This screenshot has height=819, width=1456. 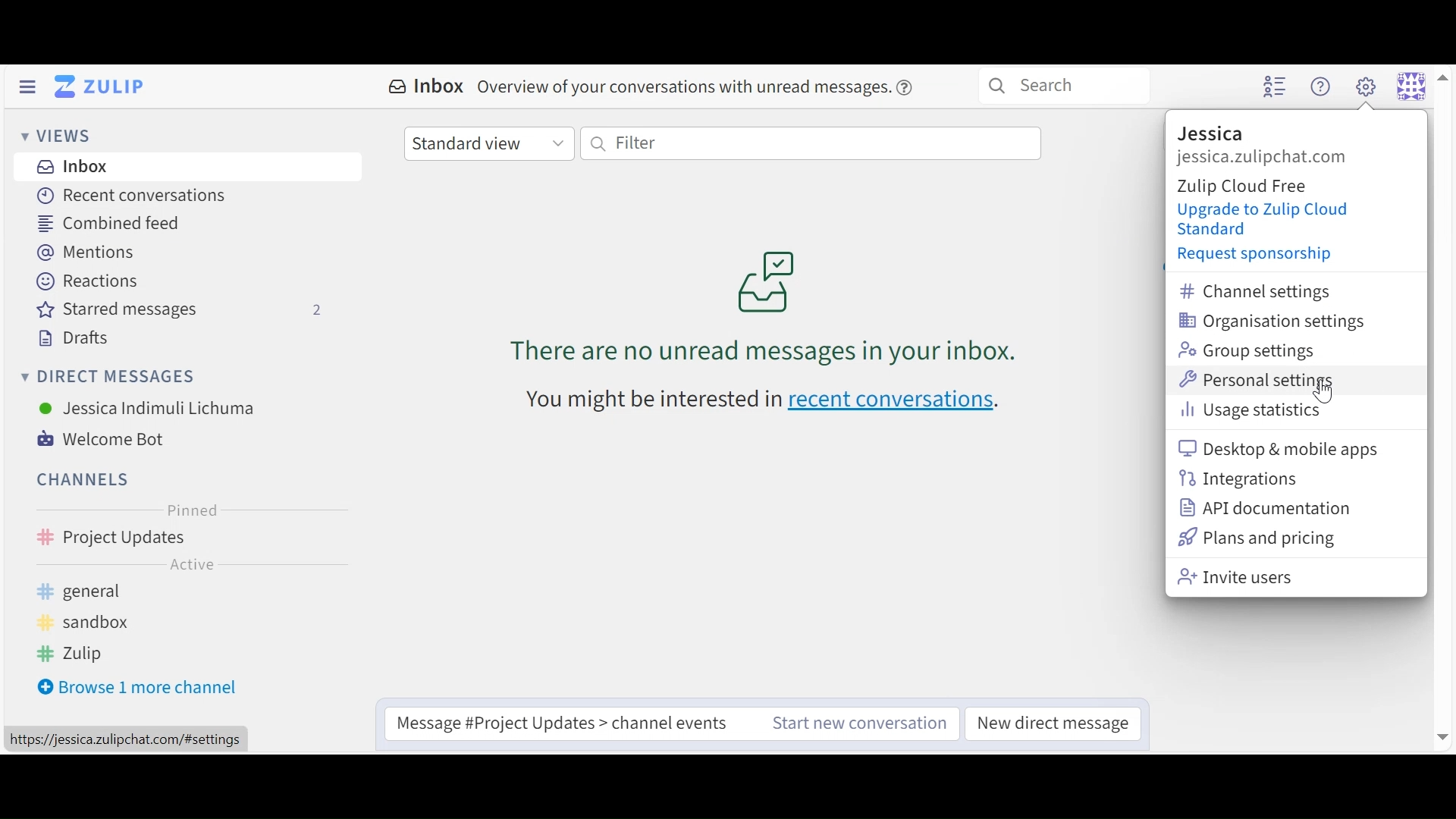 What do you see at coordinates (140, 688) in the screenshot?
I see `Browse 1 more channel` at bounding box center [140, 688].